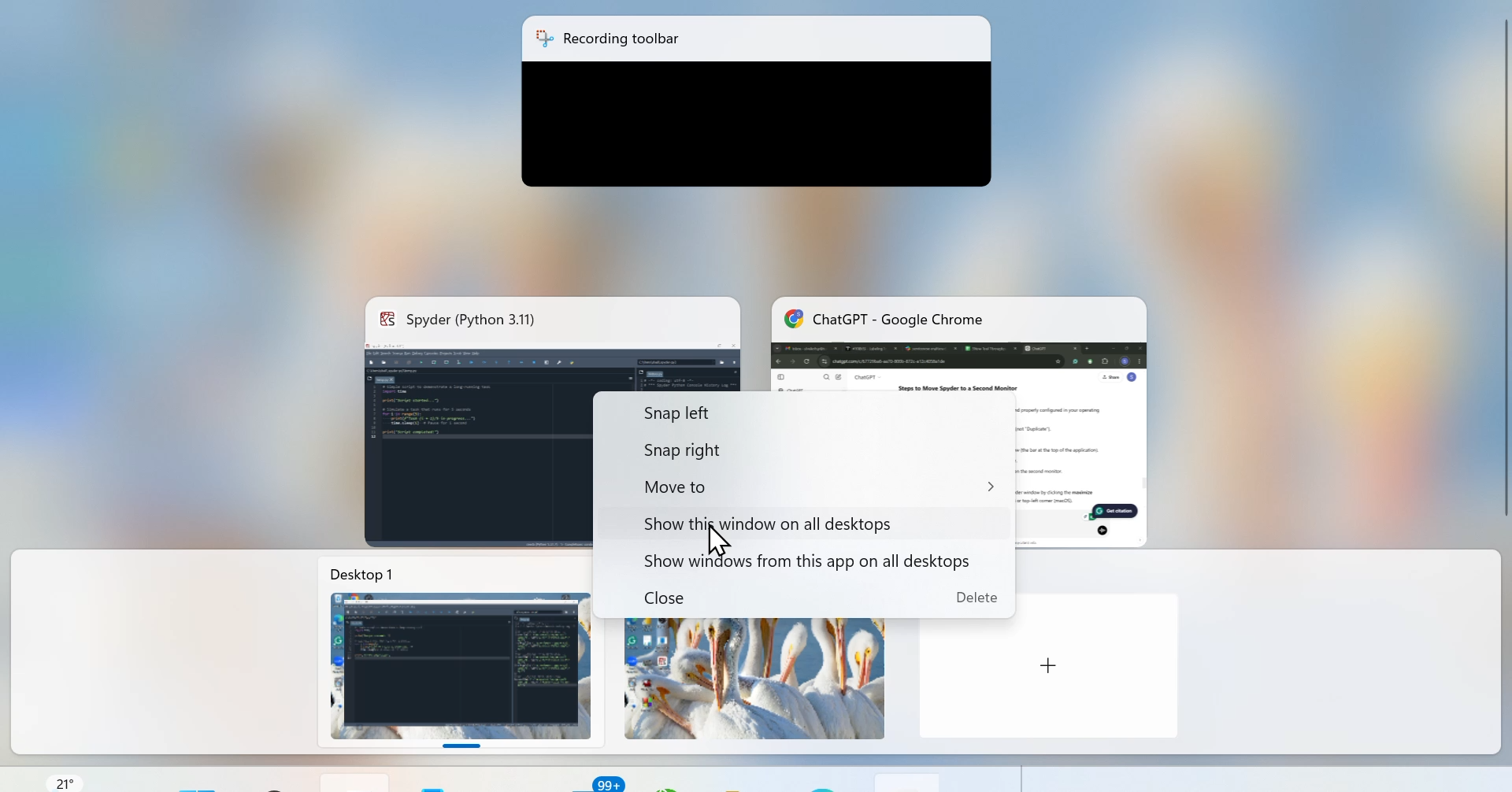  Describe the element at coordinates (763, 520) in the screenshot. I see `Show this window on all desktop` at that location.